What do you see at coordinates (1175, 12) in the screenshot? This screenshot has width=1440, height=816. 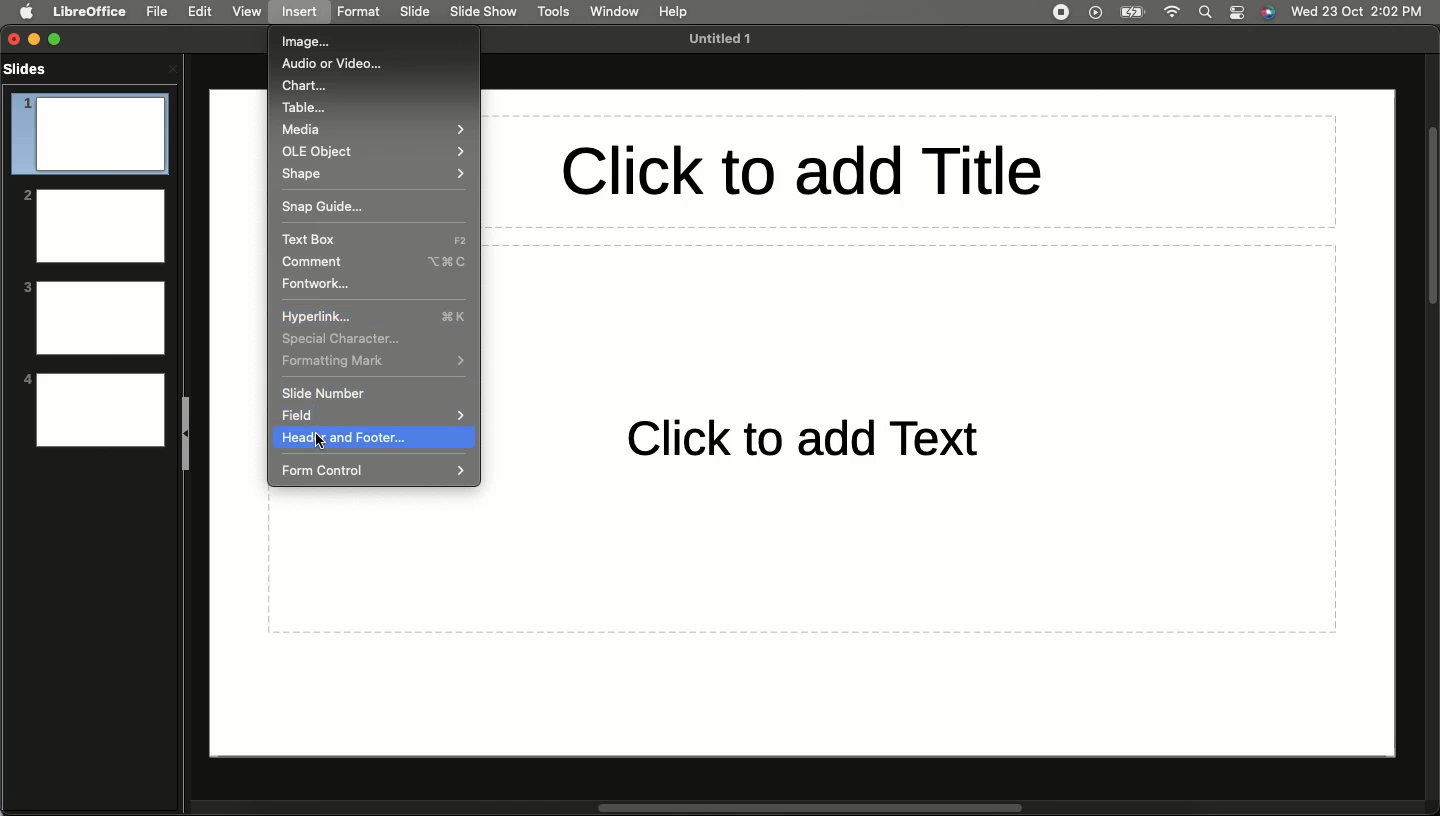 I see `Internet` at bounding box center [1175, 12].